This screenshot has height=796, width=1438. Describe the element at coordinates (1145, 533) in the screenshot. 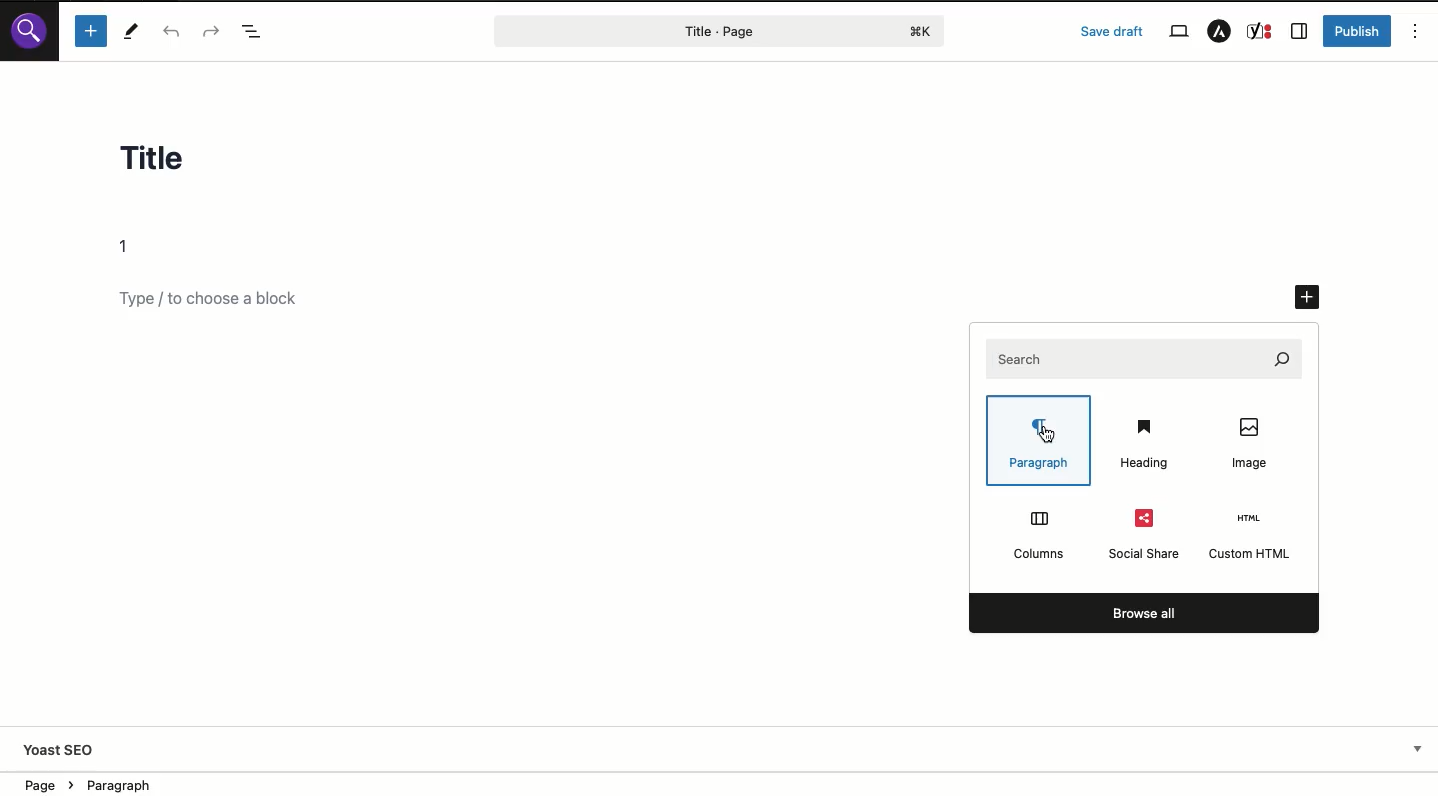

I see `Social share` at that location.